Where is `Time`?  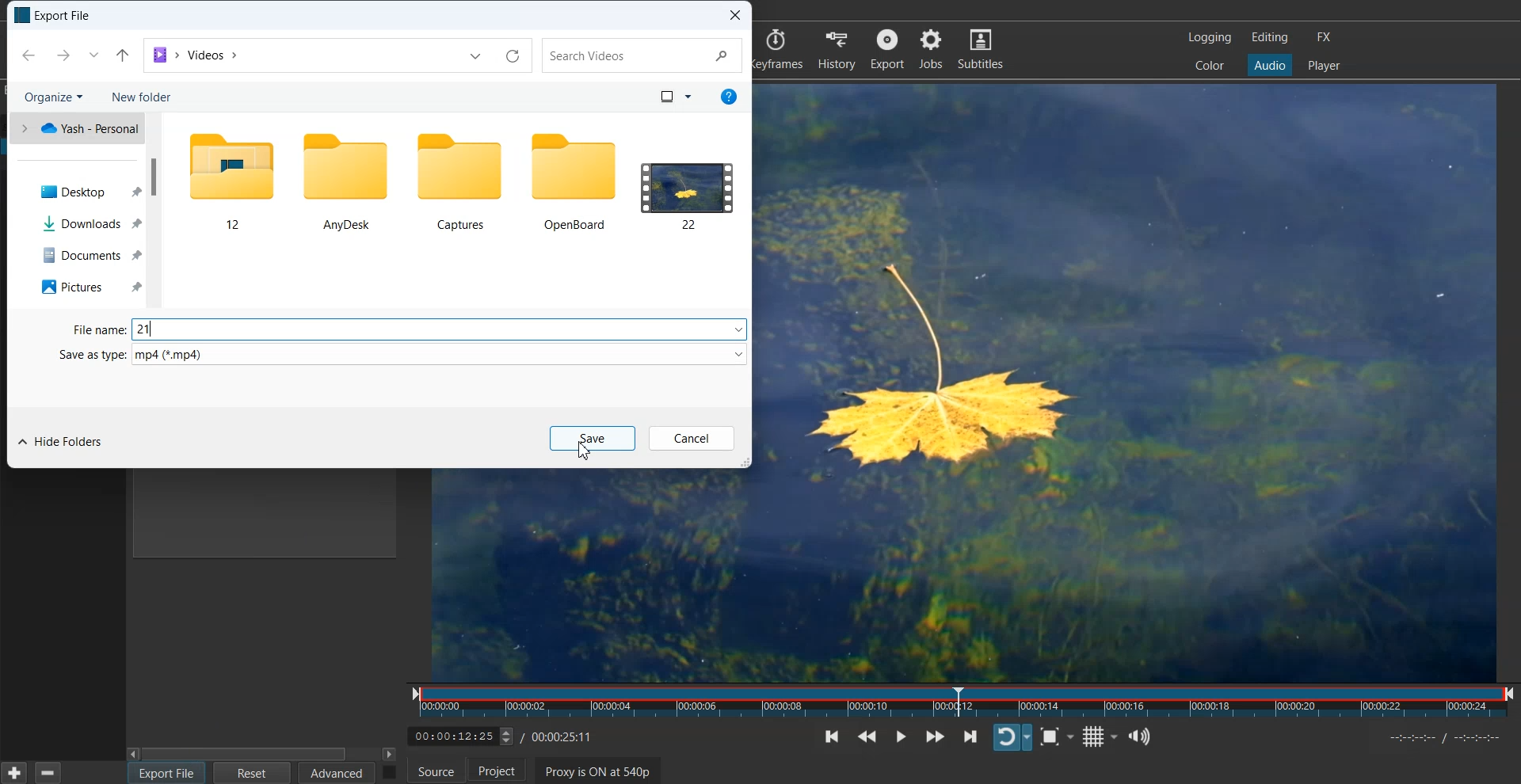
Time is located at coordinates (506, 734).